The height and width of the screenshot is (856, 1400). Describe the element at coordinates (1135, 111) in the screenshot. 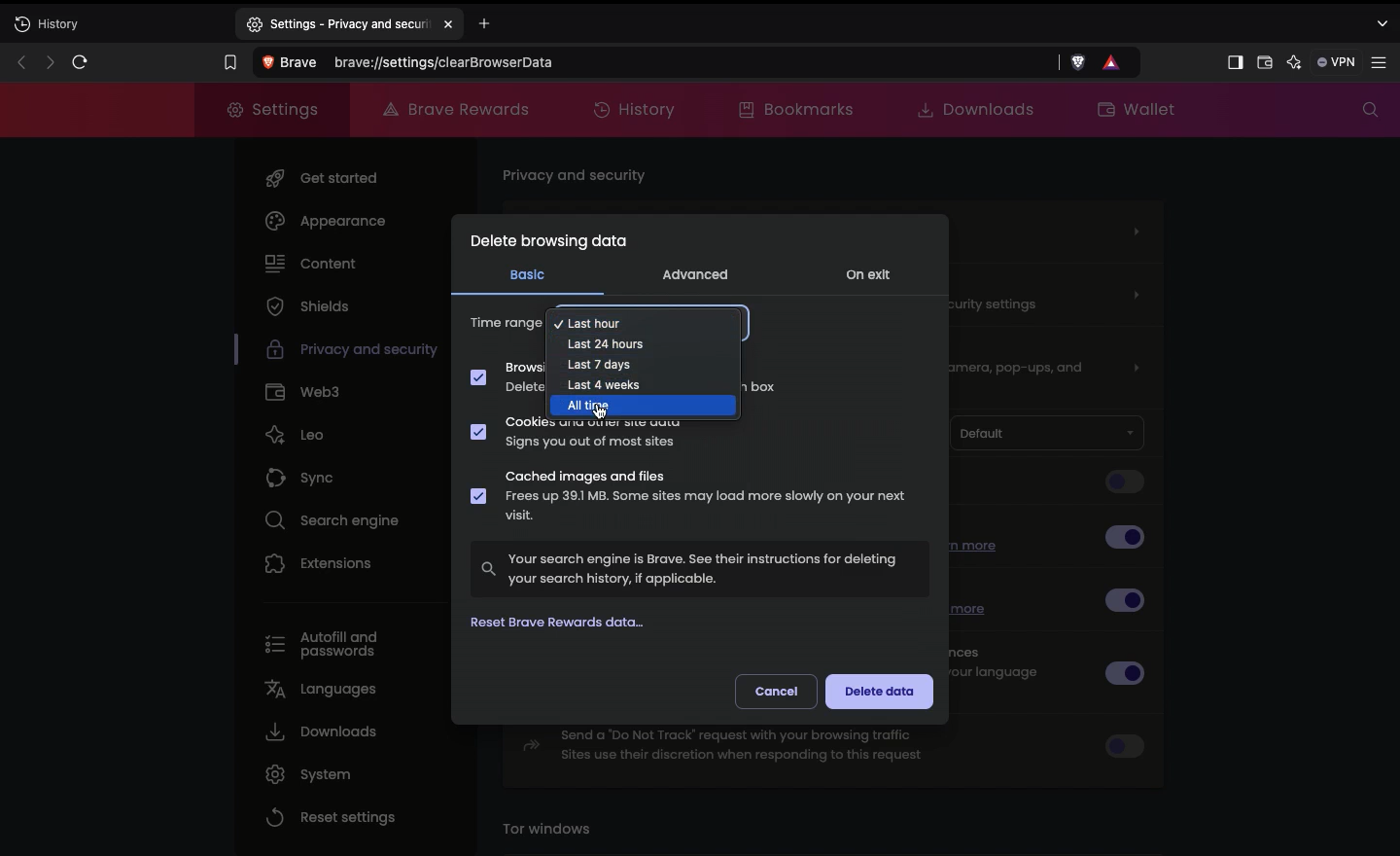

I see `Wallet` at that location.